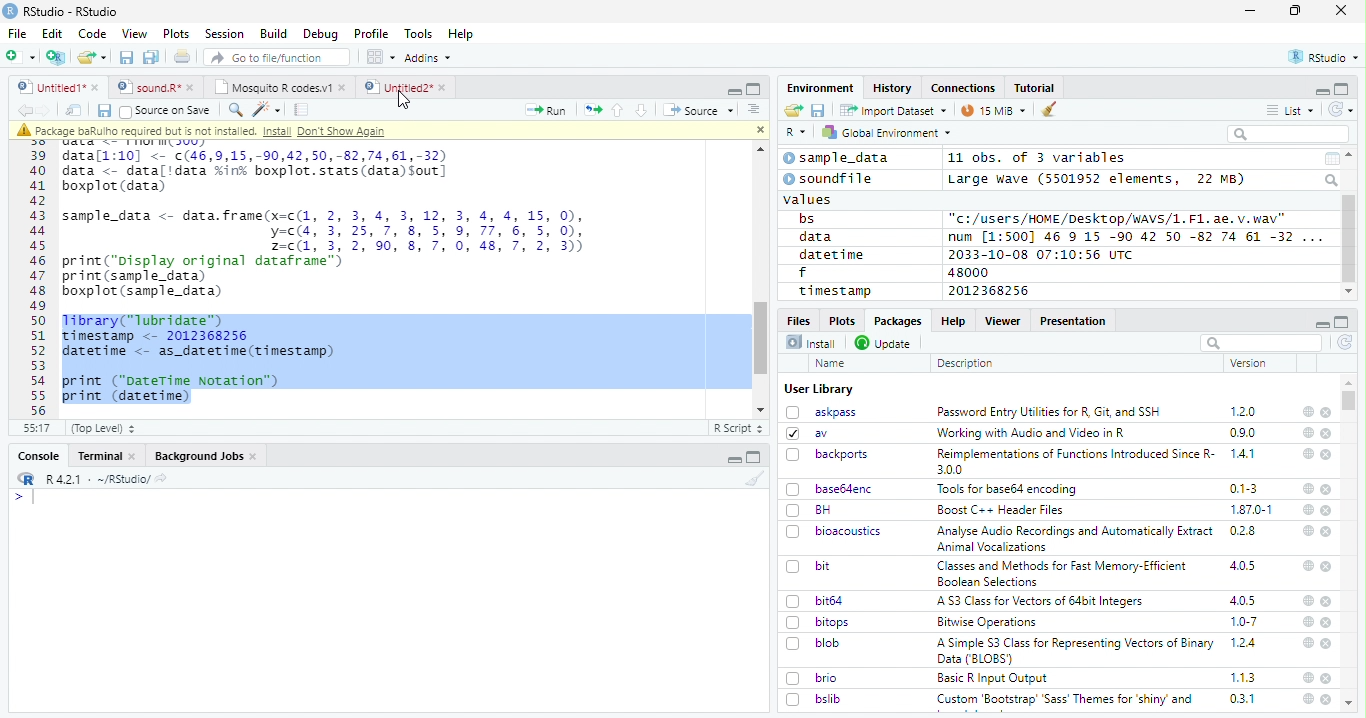 The height and width of the screenshot is (718, 1366). What do you see at coordinates (1327, 678) in the screenshot?
I see `close` at bounding box center [1327, 678].